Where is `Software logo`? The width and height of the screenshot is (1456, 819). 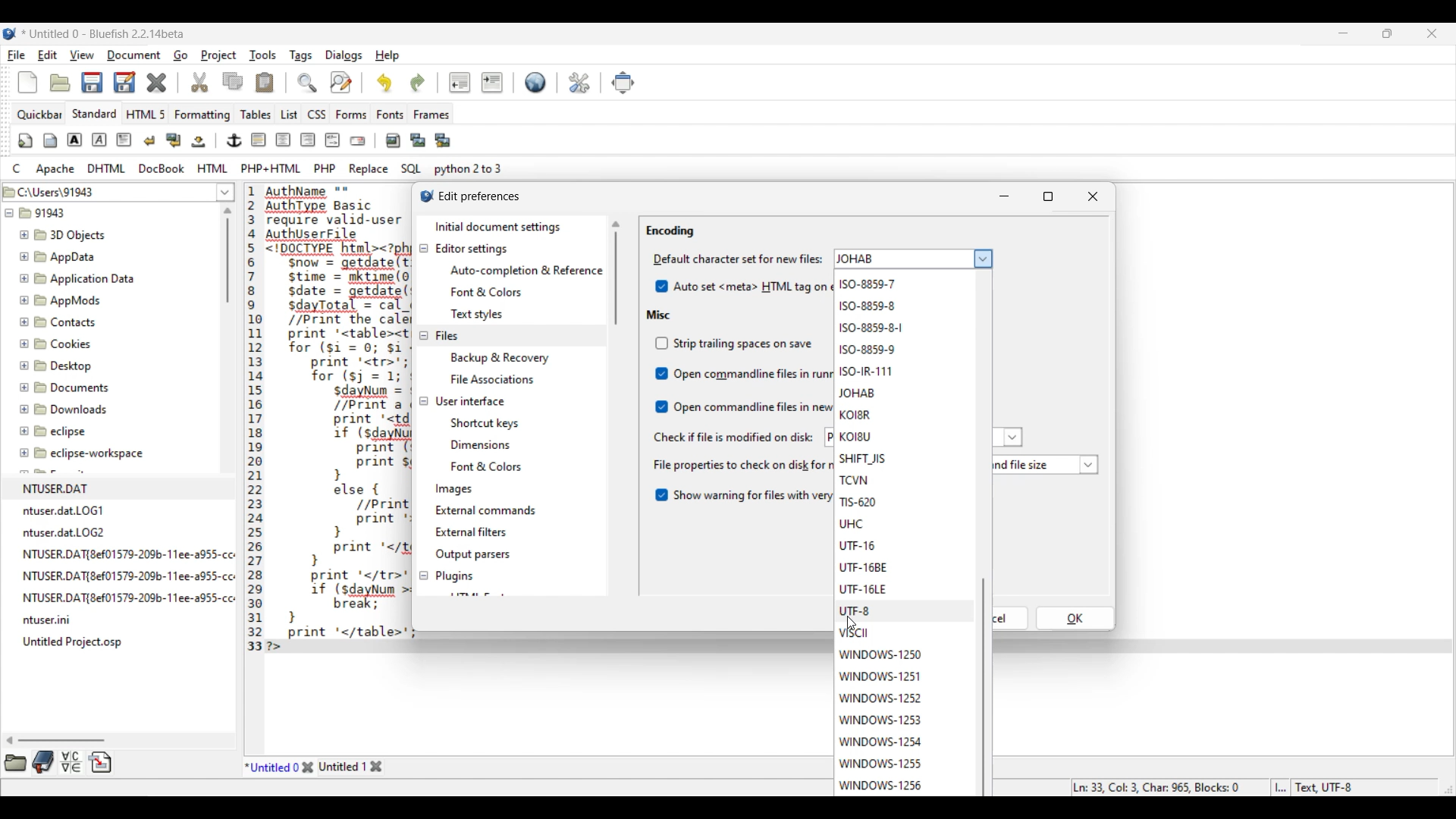
Software logo is located at coordinates (10, 33).